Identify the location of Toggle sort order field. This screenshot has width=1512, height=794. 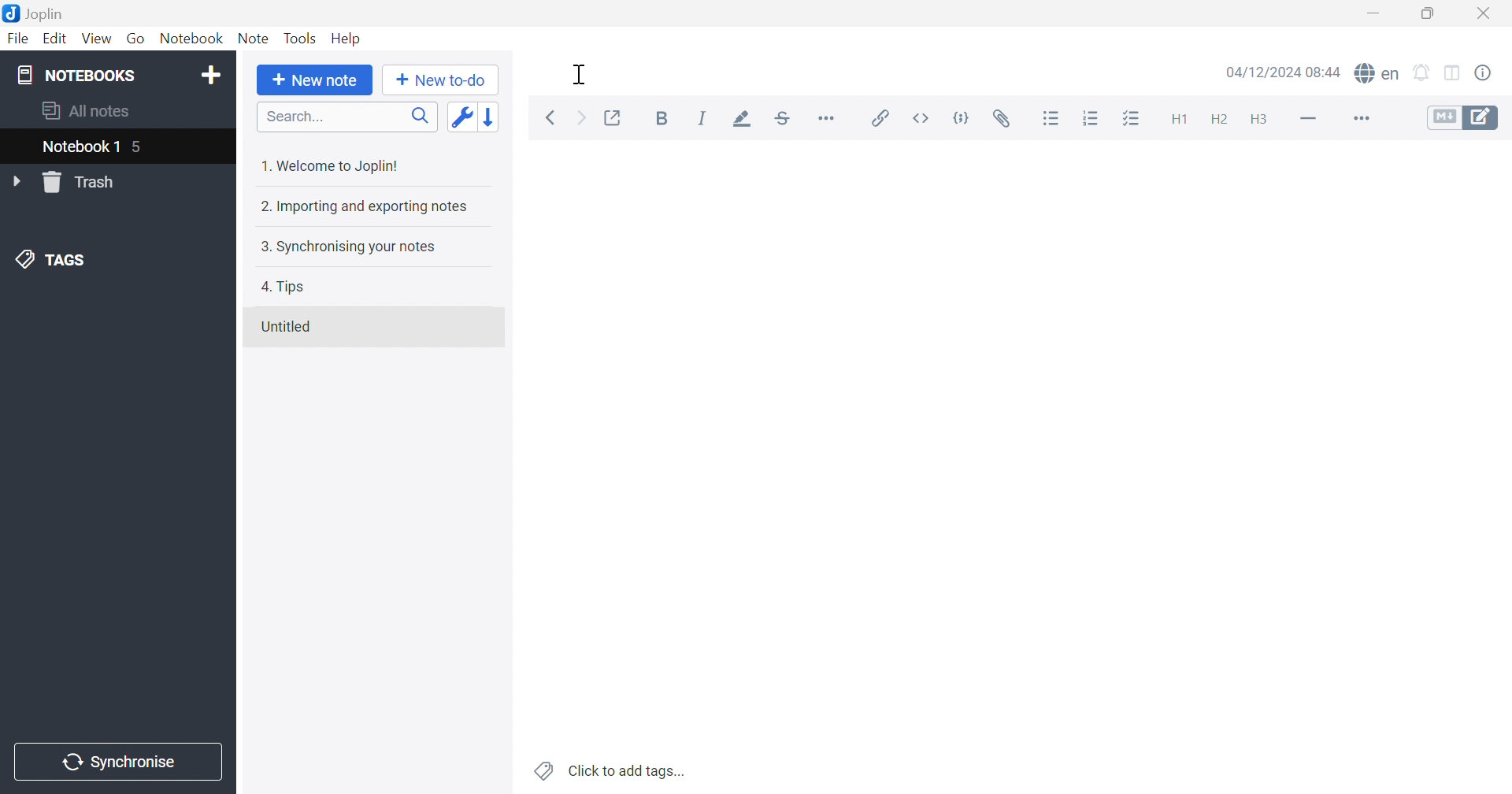
(461, 117).